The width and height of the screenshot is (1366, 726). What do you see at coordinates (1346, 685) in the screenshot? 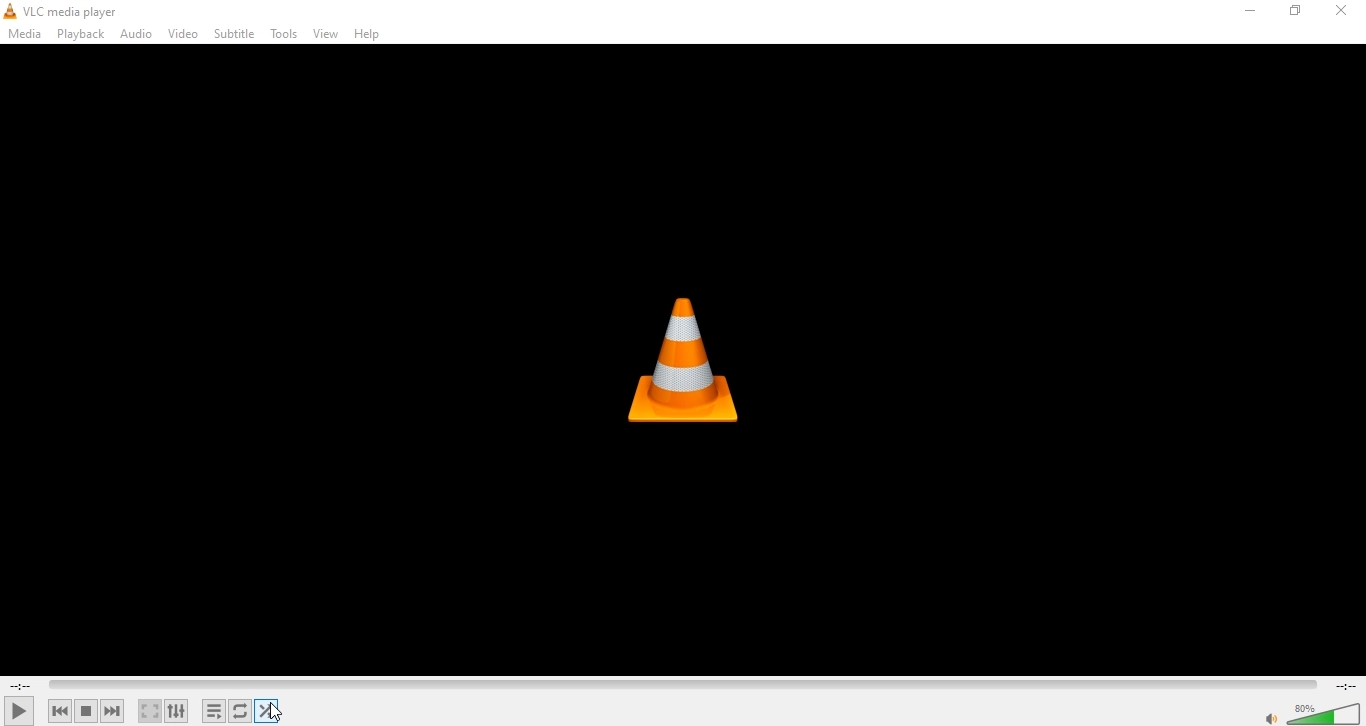
I see `total remaining time` at bounding box center [1346, 685].